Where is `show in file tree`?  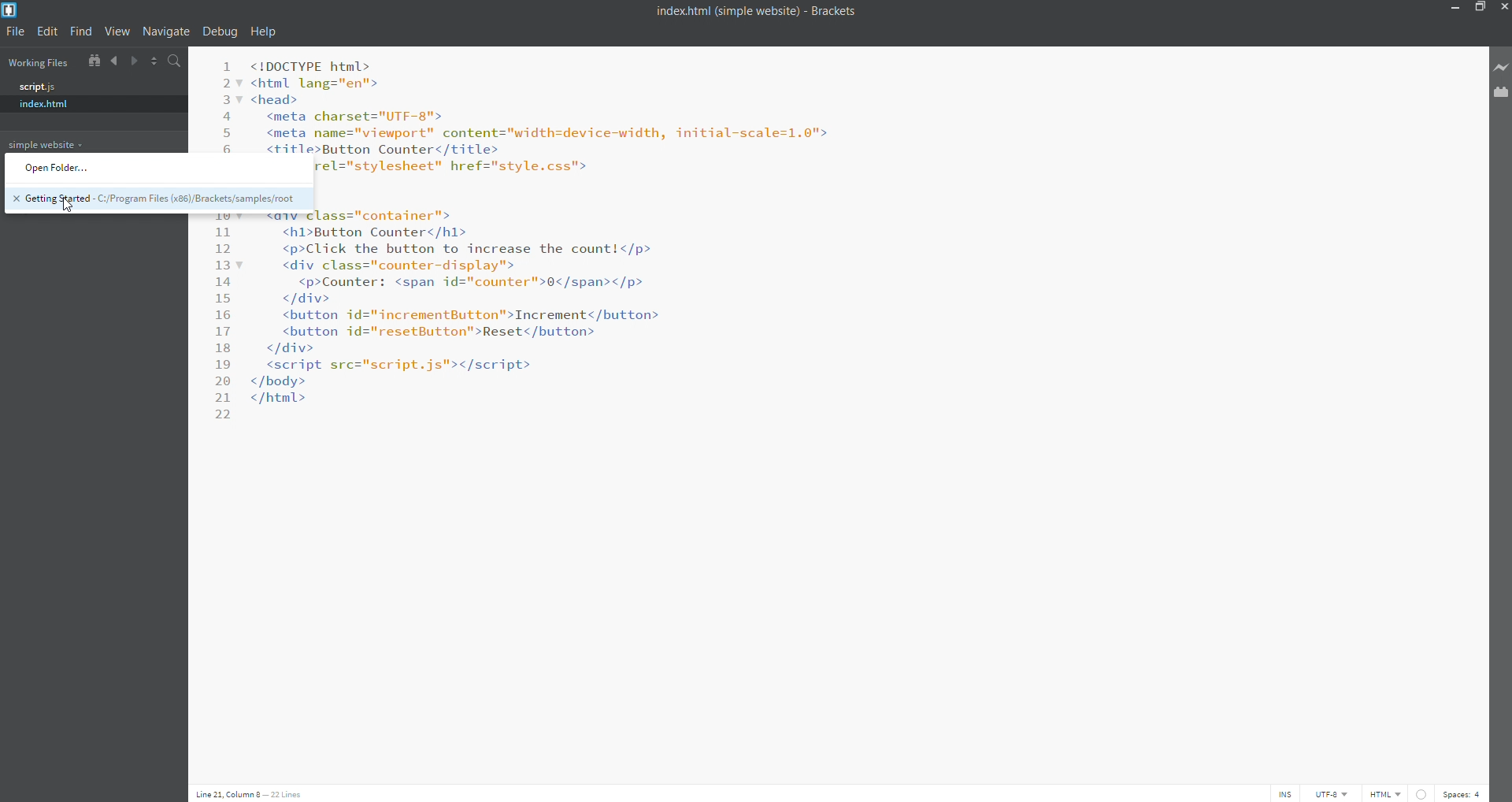
show in file tree is located at coordinates (92, 61).